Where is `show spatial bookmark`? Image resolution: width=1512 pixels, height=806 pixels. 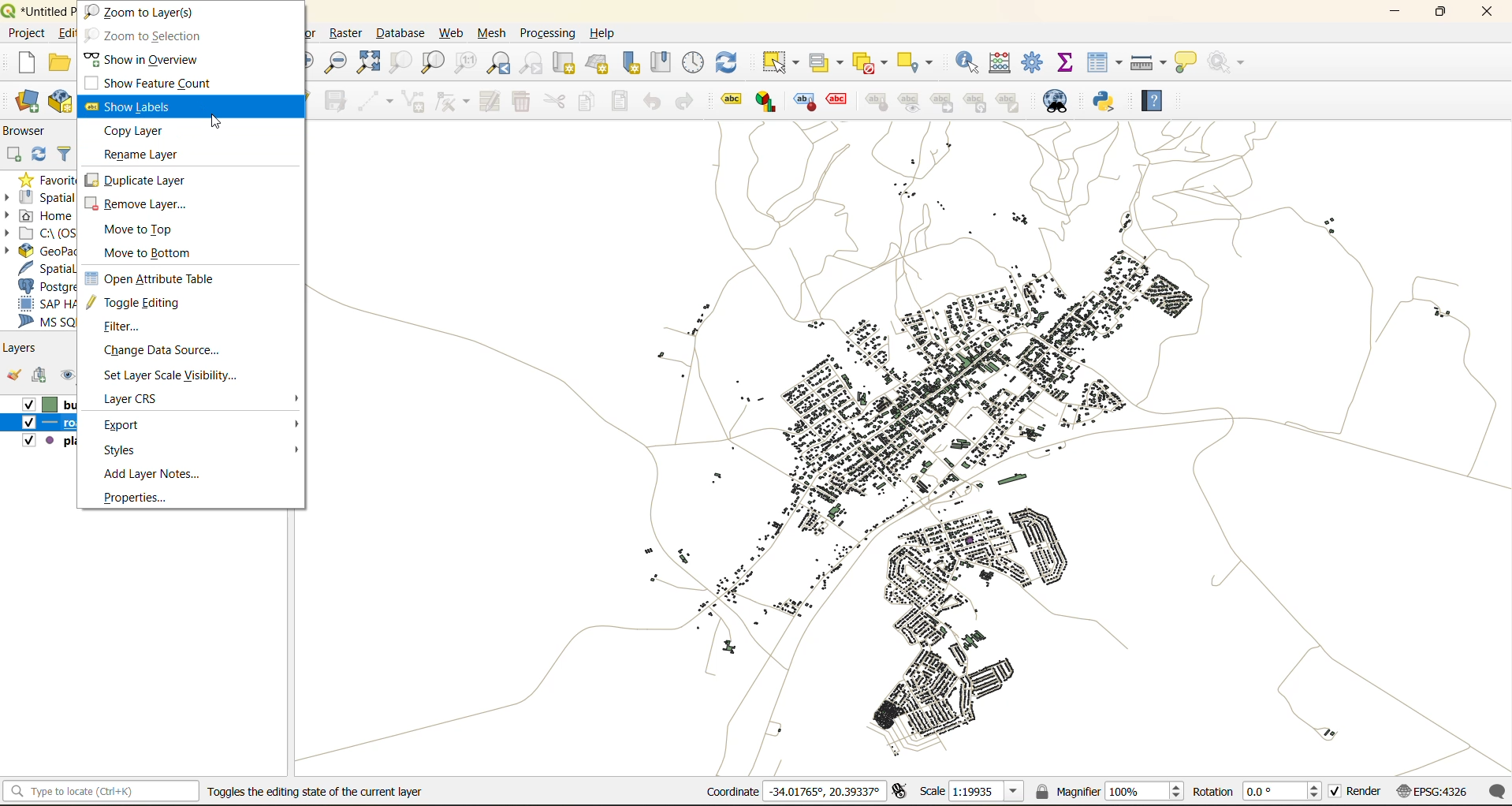 show spatial bookmark is located at coordinates (662, 65).